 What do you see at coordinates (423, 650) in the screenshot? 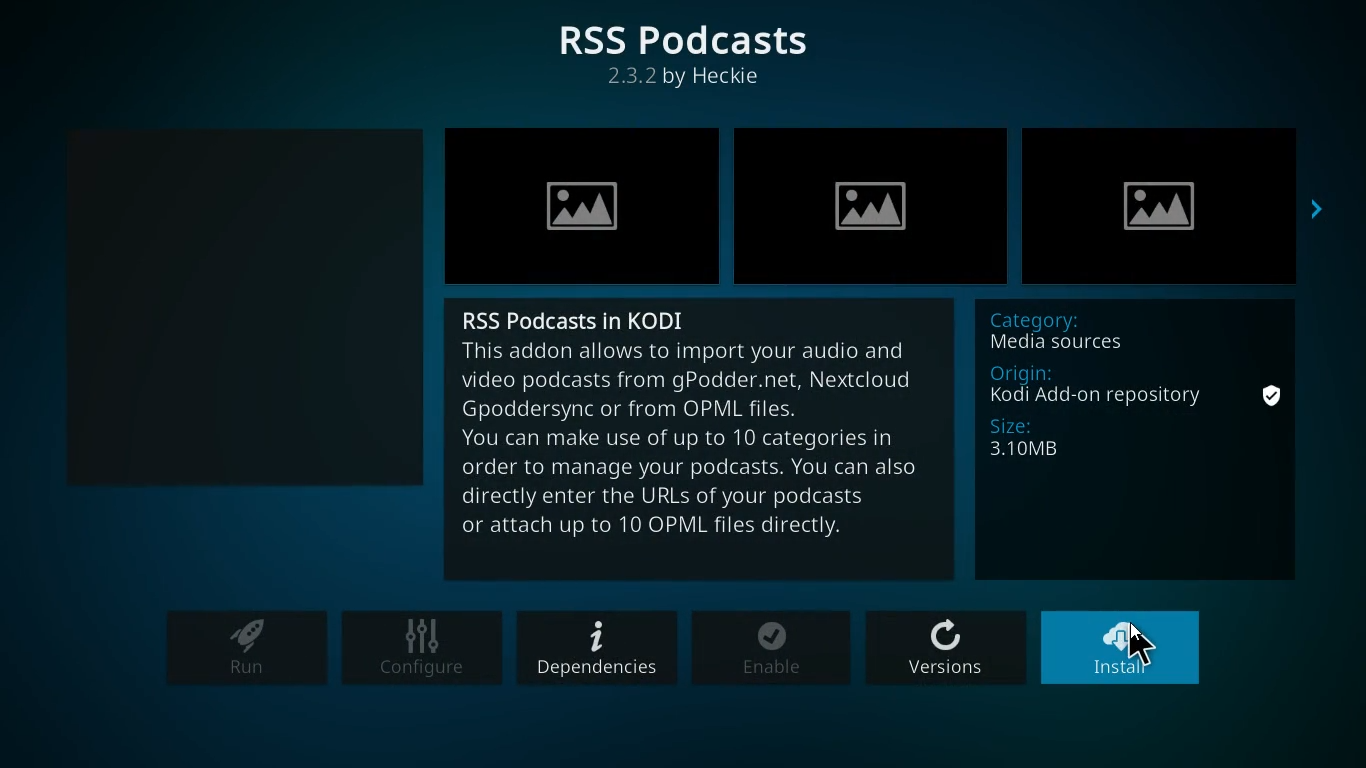
I see `configure` at bounding box center [423, 650].